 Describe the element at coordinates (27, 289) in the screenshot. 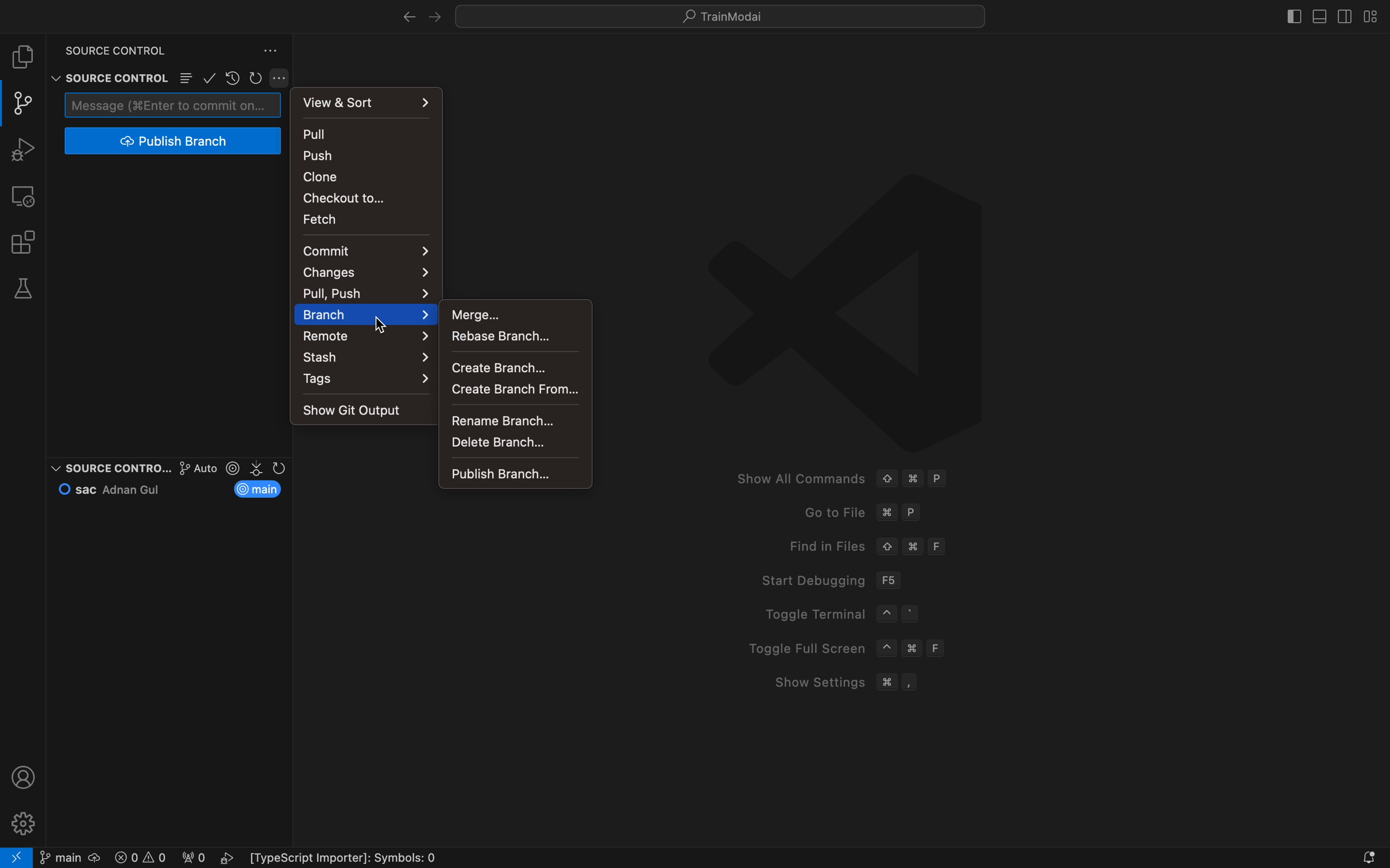

I see `tests` at that location.